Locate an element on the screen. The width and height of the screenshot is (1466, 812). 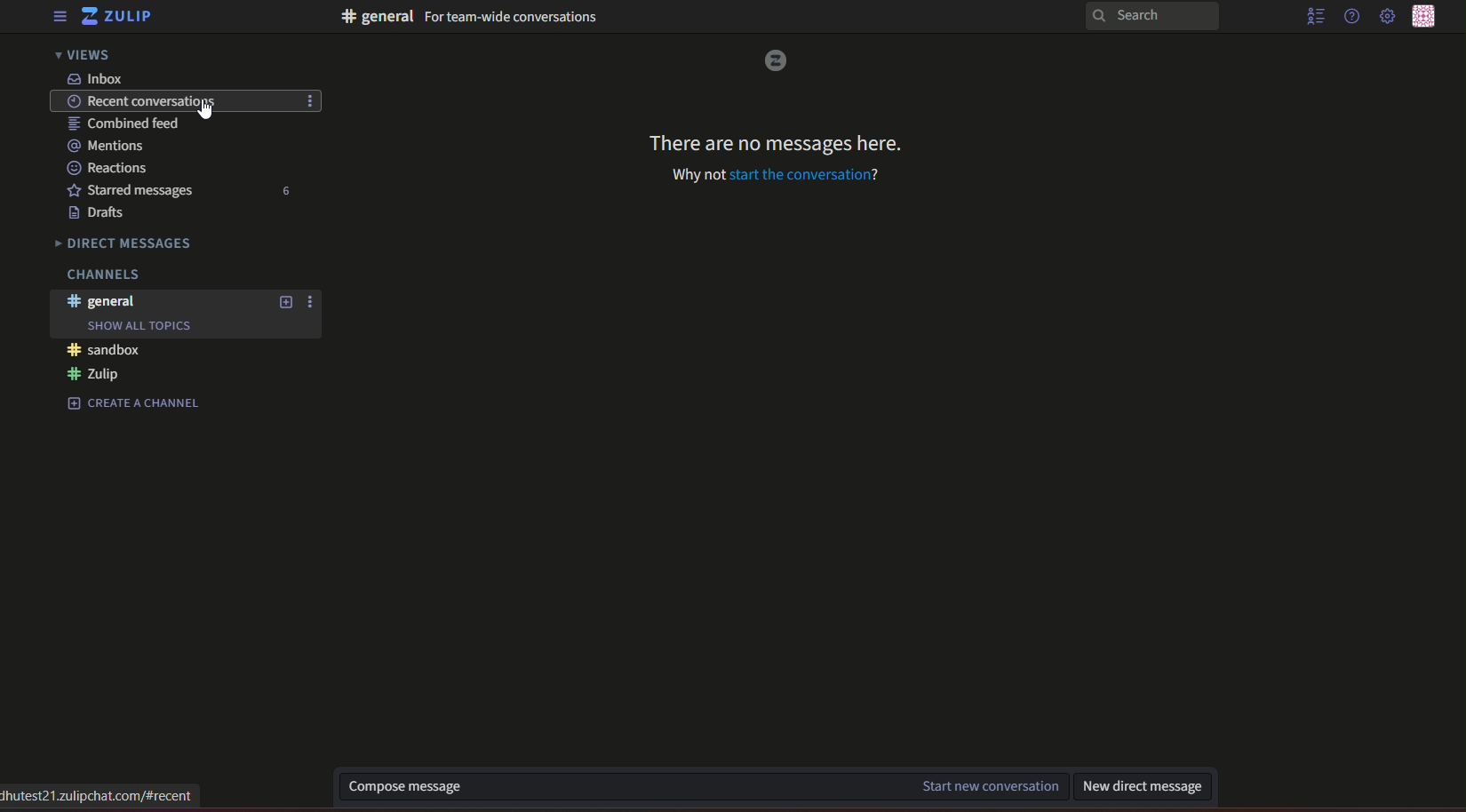
why not is located at coordinates (696, 173).